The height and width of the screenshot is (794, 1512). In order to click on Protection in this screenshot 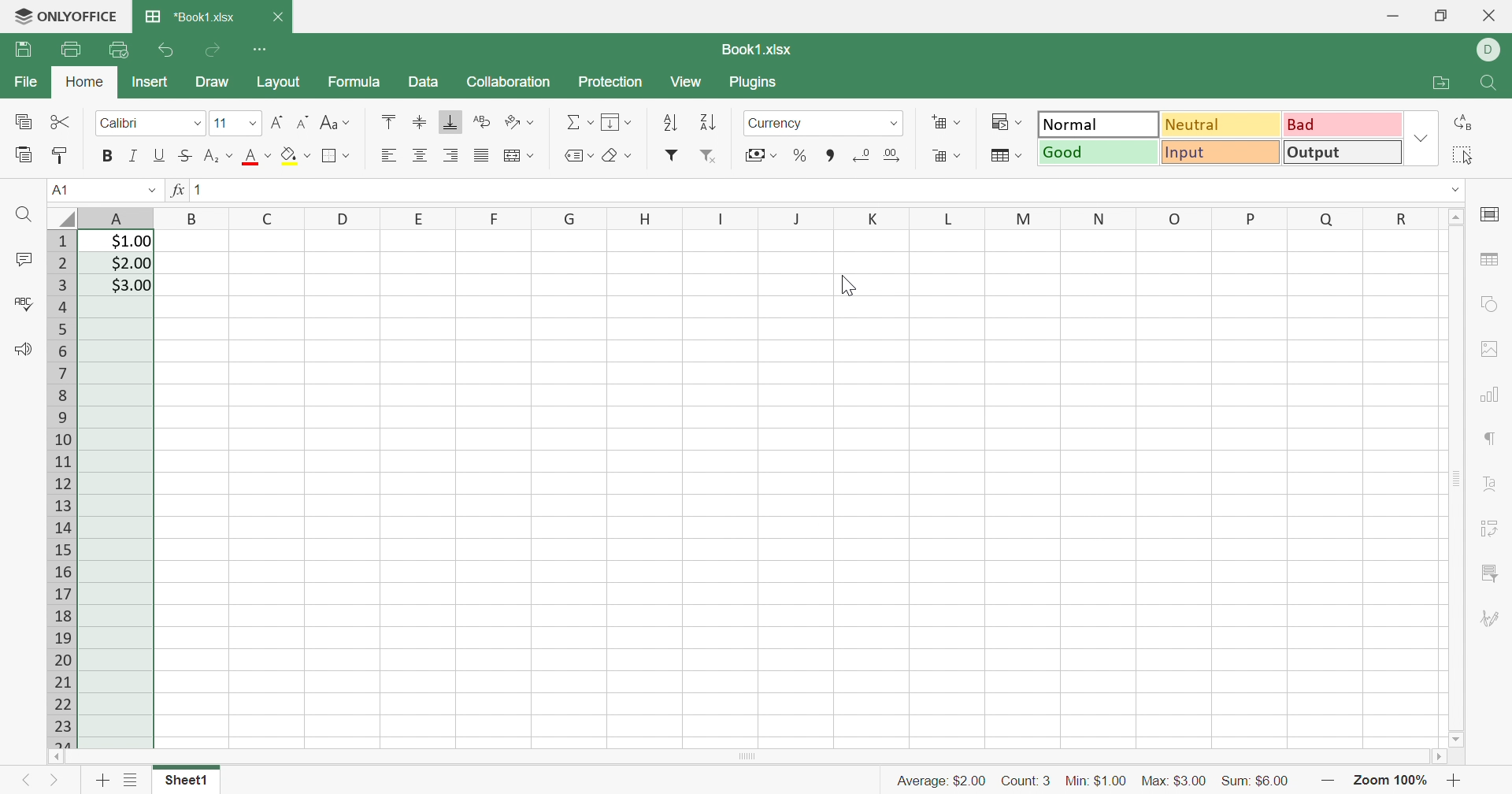, I will do `click(613, 82)`.